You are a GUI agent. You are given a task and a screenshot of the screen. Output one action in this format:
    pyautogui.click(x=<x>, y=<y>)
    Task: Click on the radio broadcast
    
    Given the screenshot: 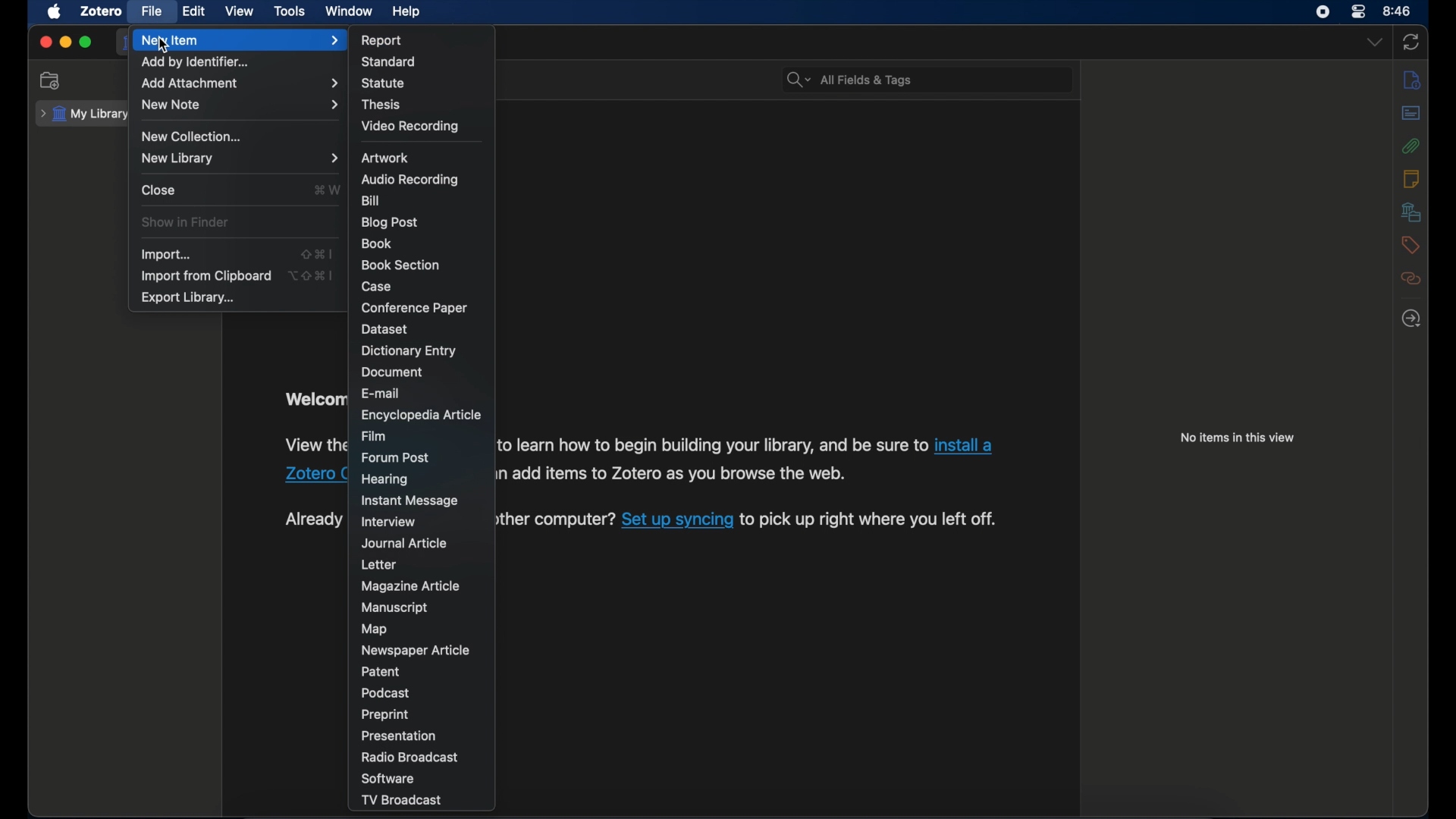 What is the action you would take?
    pyautogui.click(x=409, y=758)
    